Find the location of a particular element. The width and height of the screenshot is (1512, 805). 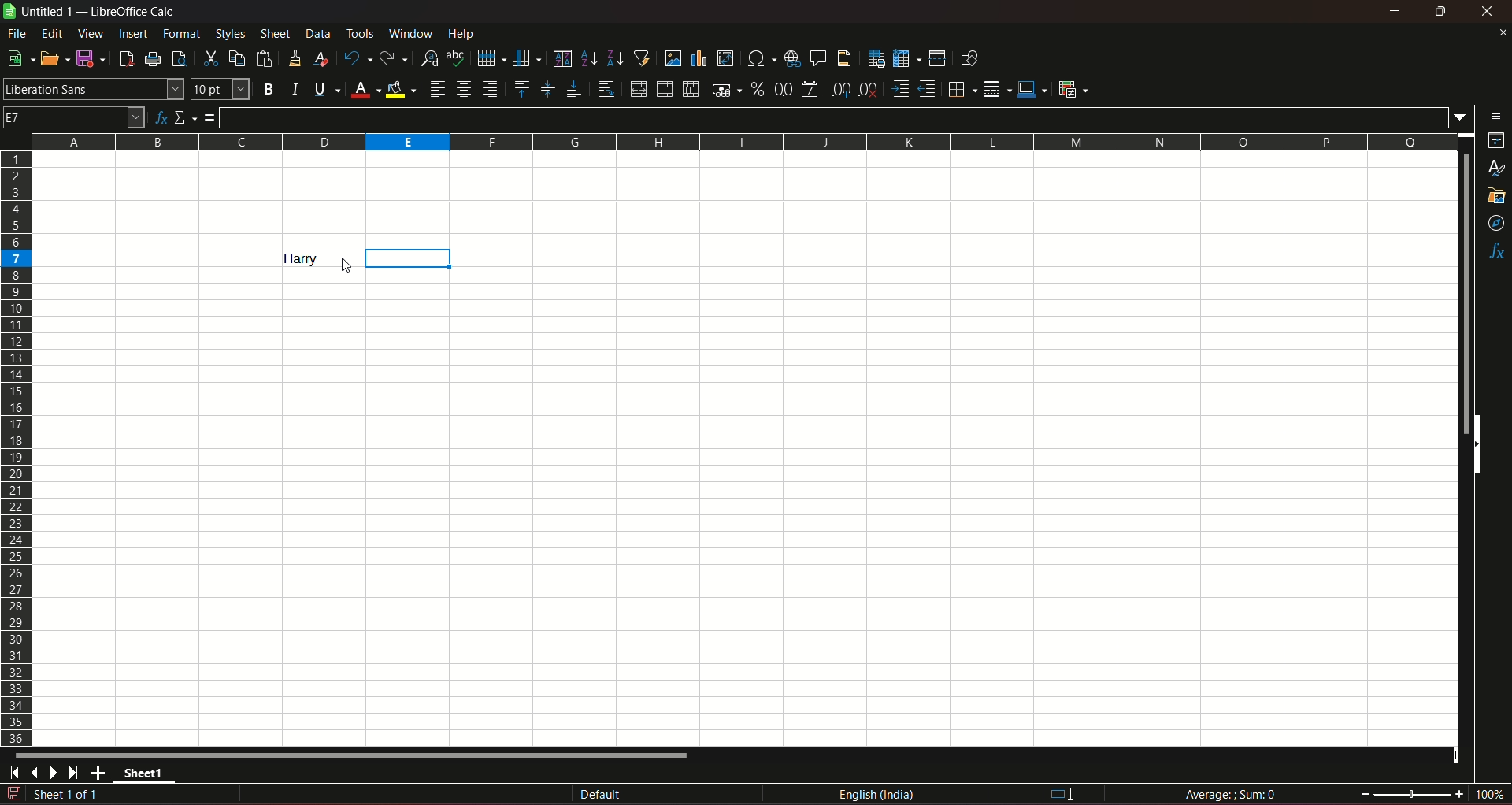

data is located at coordinates (318, 33).